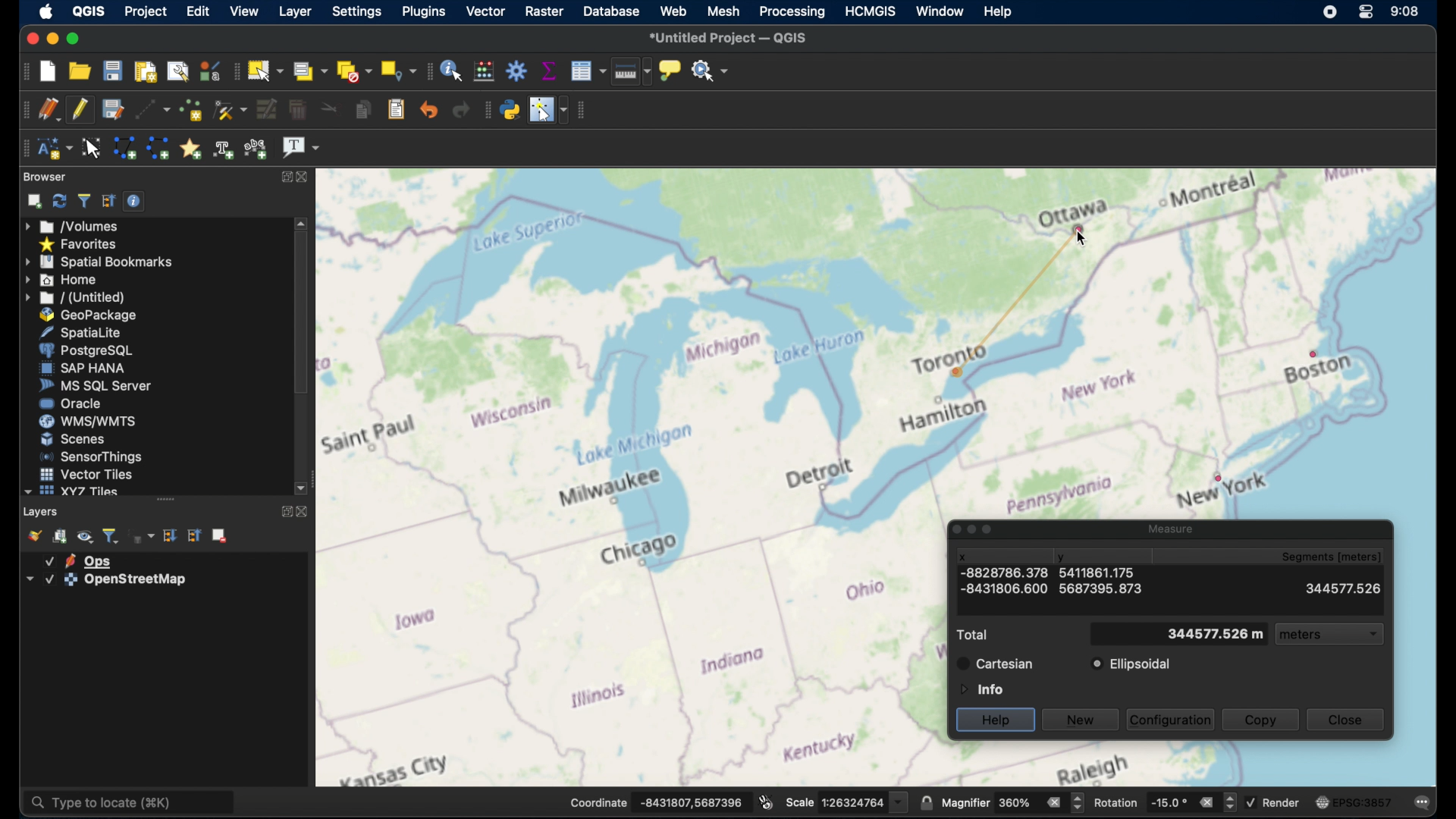  What do you see at coordinates (231, 110) in the screenshot?
I see `vertex tool` at bounding box center [231, 110].